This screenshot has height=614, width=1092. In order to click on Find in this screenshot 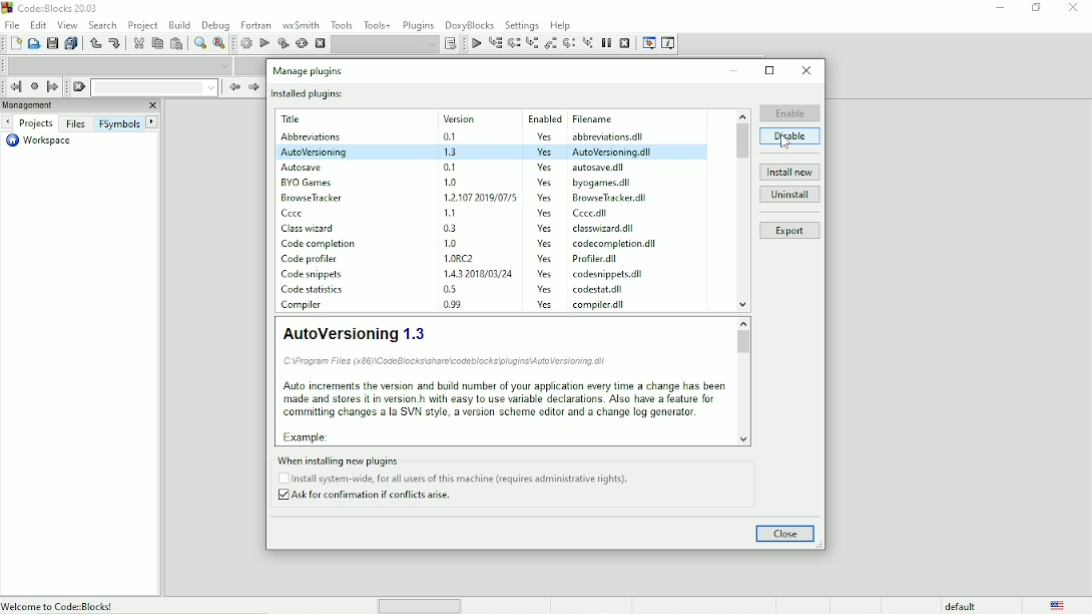, I will do `click(199, 43)`.